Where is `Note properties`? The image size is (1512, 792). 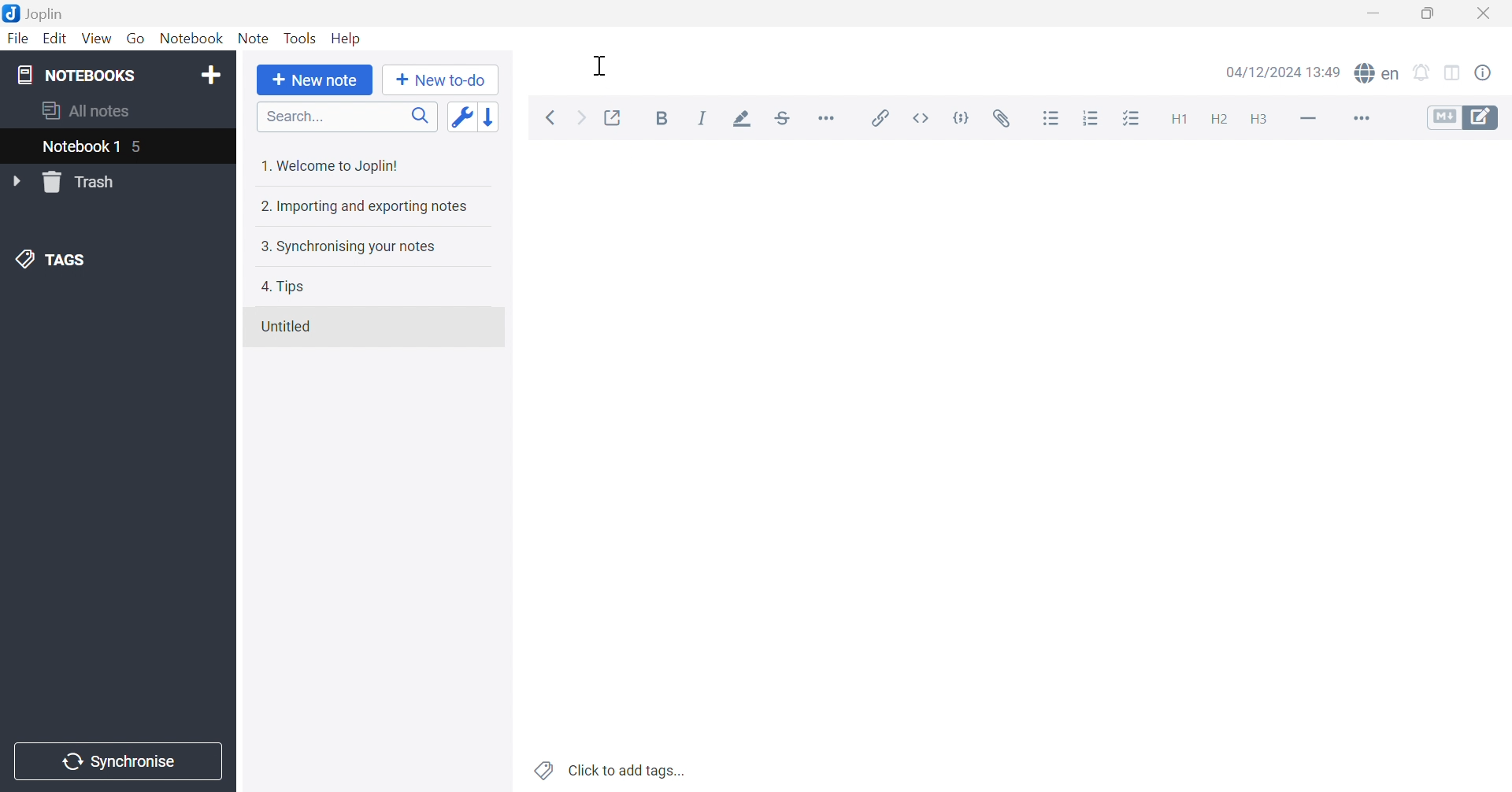
Note properties is located at coordinates (1492, 76).